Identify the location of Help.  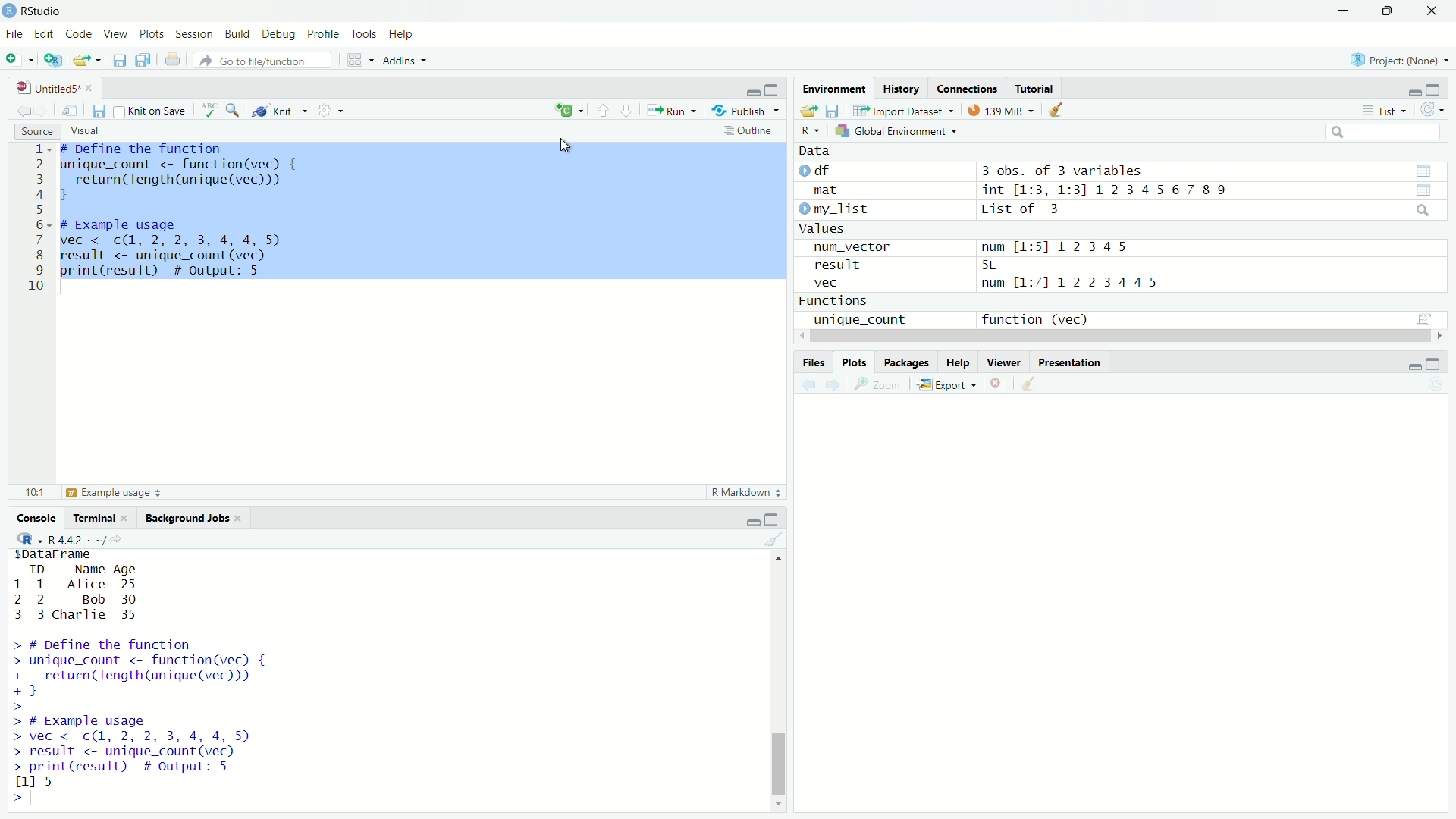
(404, 35).